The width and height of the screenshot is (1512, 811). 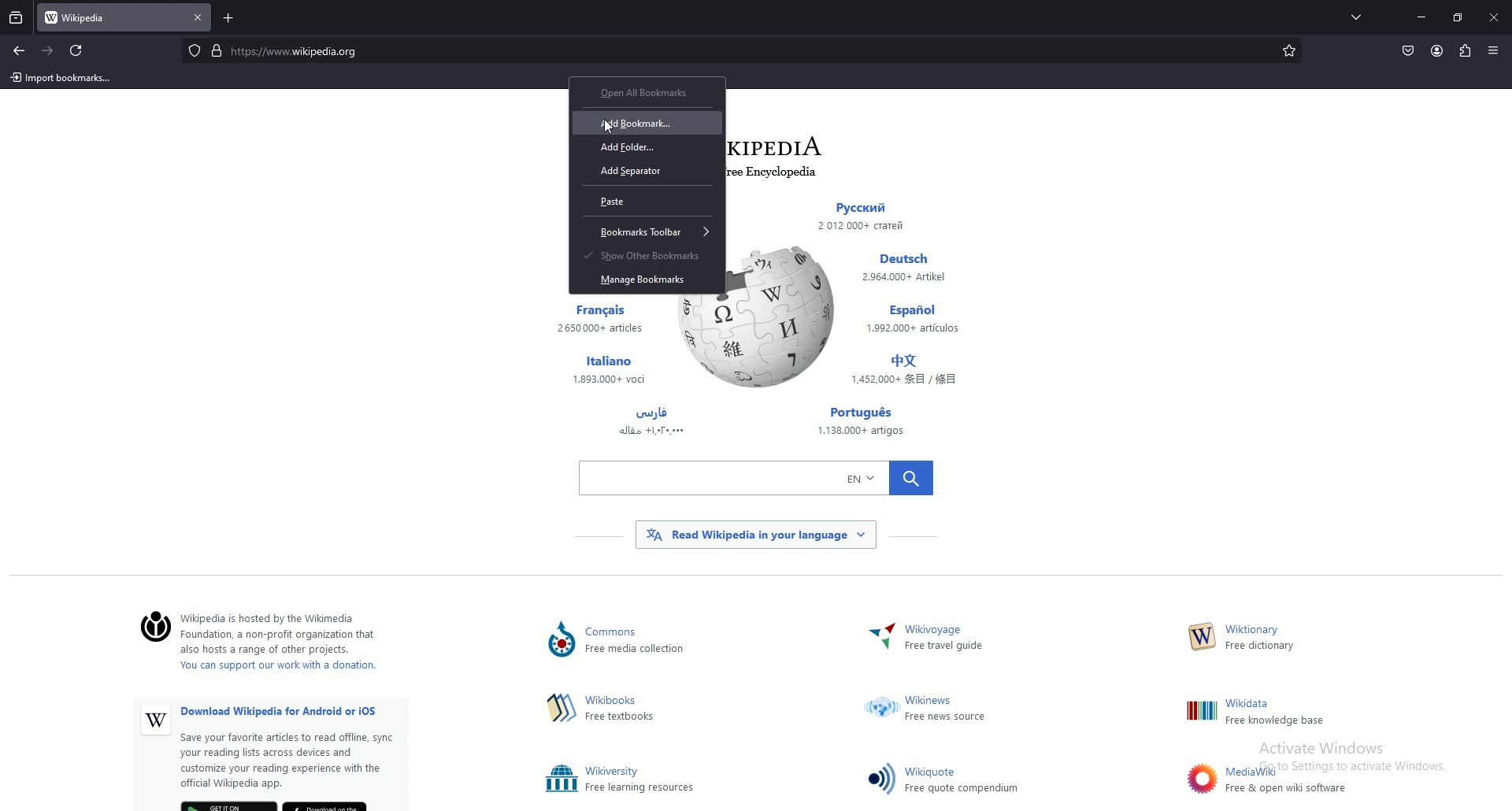 I want to click on digicert verified, so click(x=218, y=50).